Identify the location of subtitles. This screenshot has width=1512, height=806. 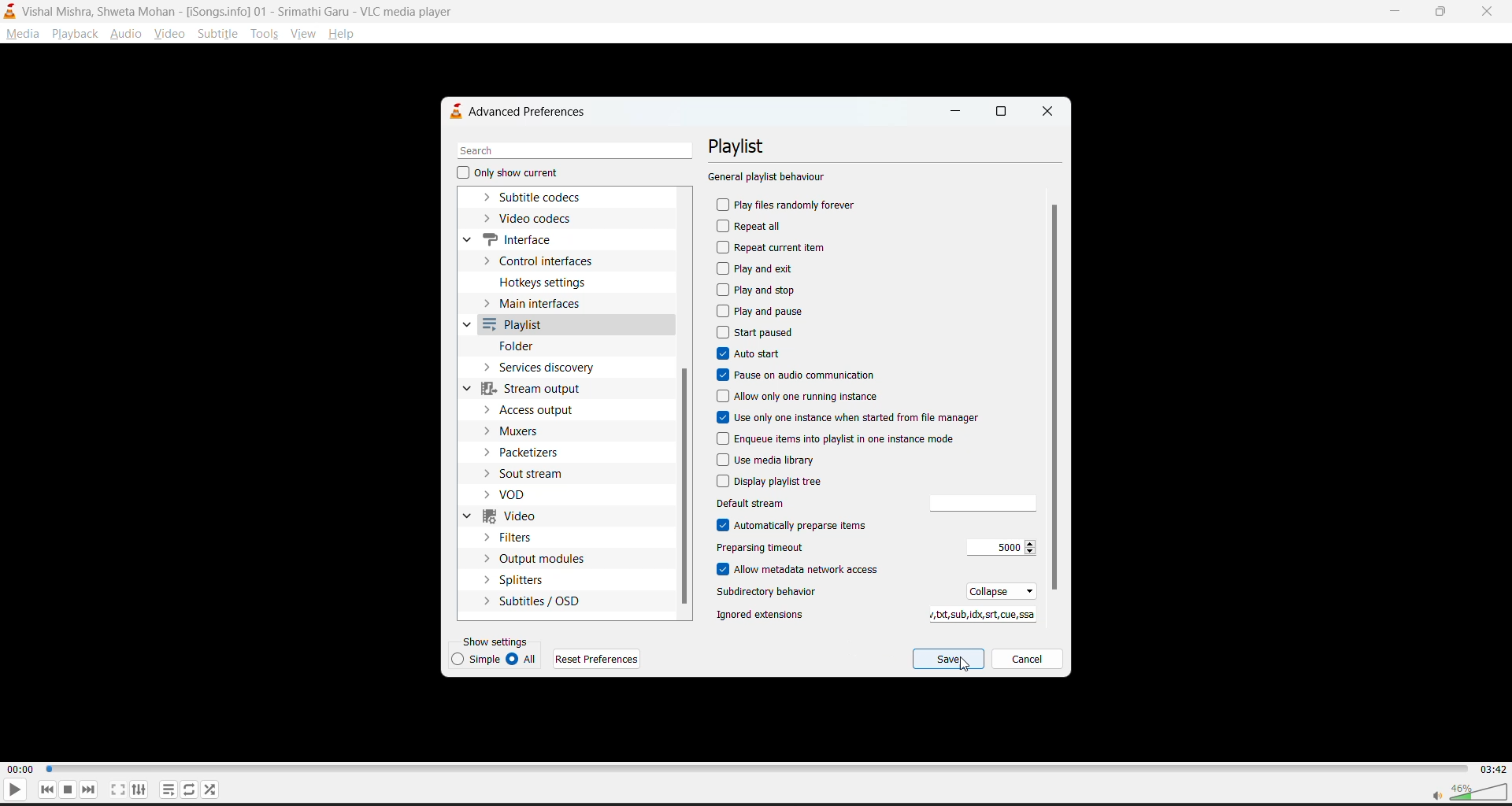
(543, 602).